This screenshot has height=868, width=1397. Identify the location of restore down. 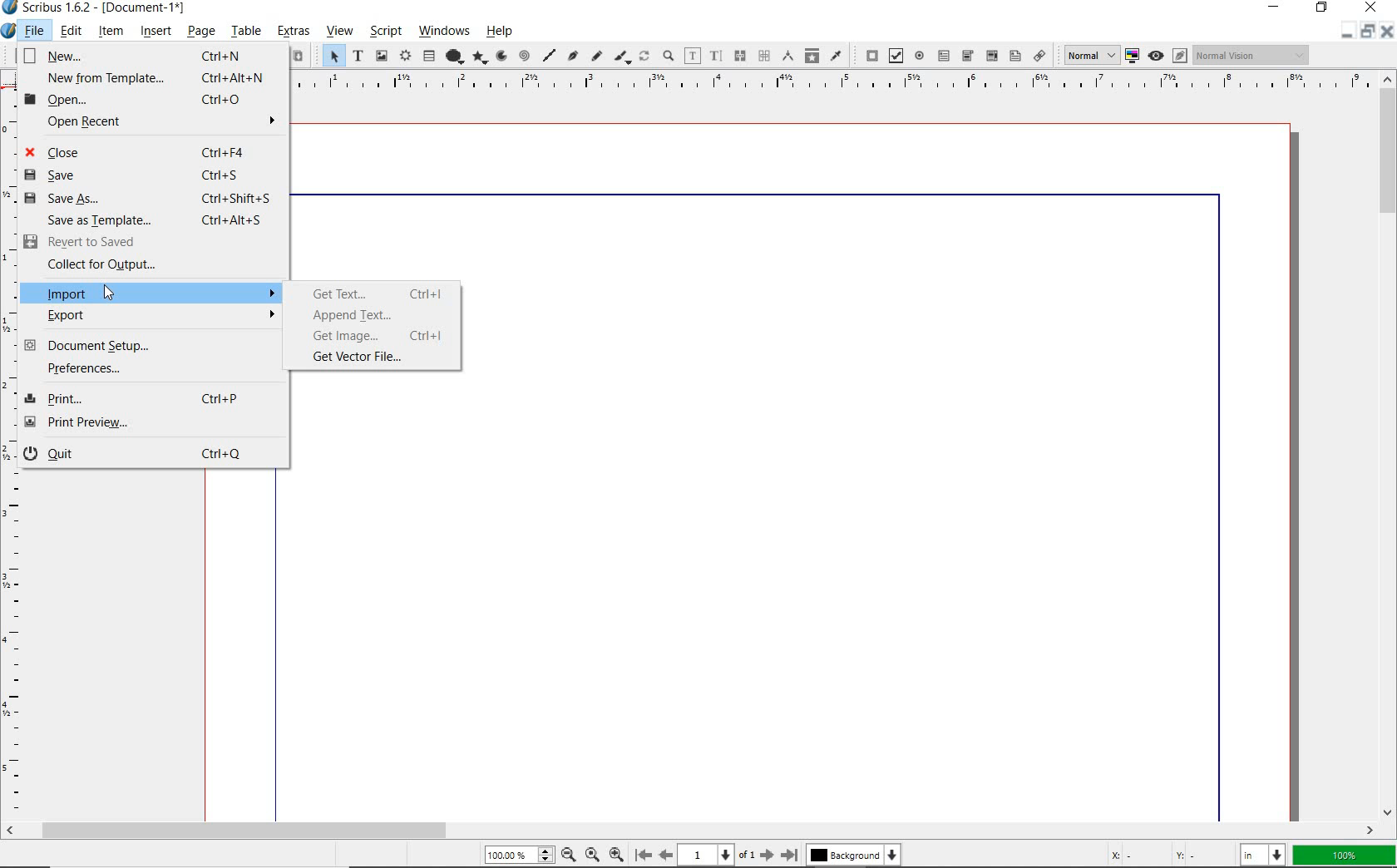
(1348, 30).